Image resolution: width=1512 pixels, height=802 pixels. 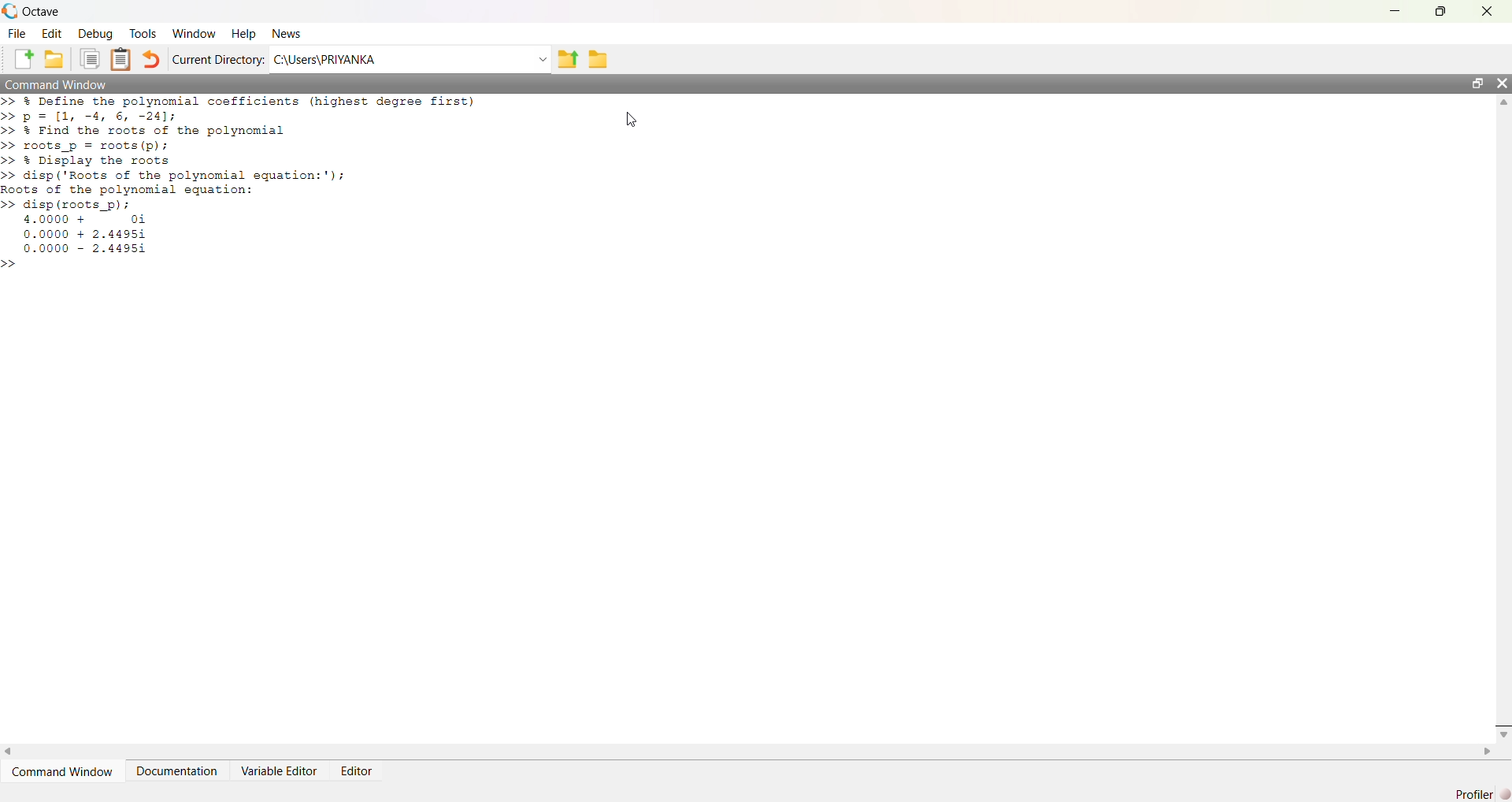 What do you see at coordinates (569, 60) in the screenshot?
I see `Upload Folder` at bounding box center [569, 60].